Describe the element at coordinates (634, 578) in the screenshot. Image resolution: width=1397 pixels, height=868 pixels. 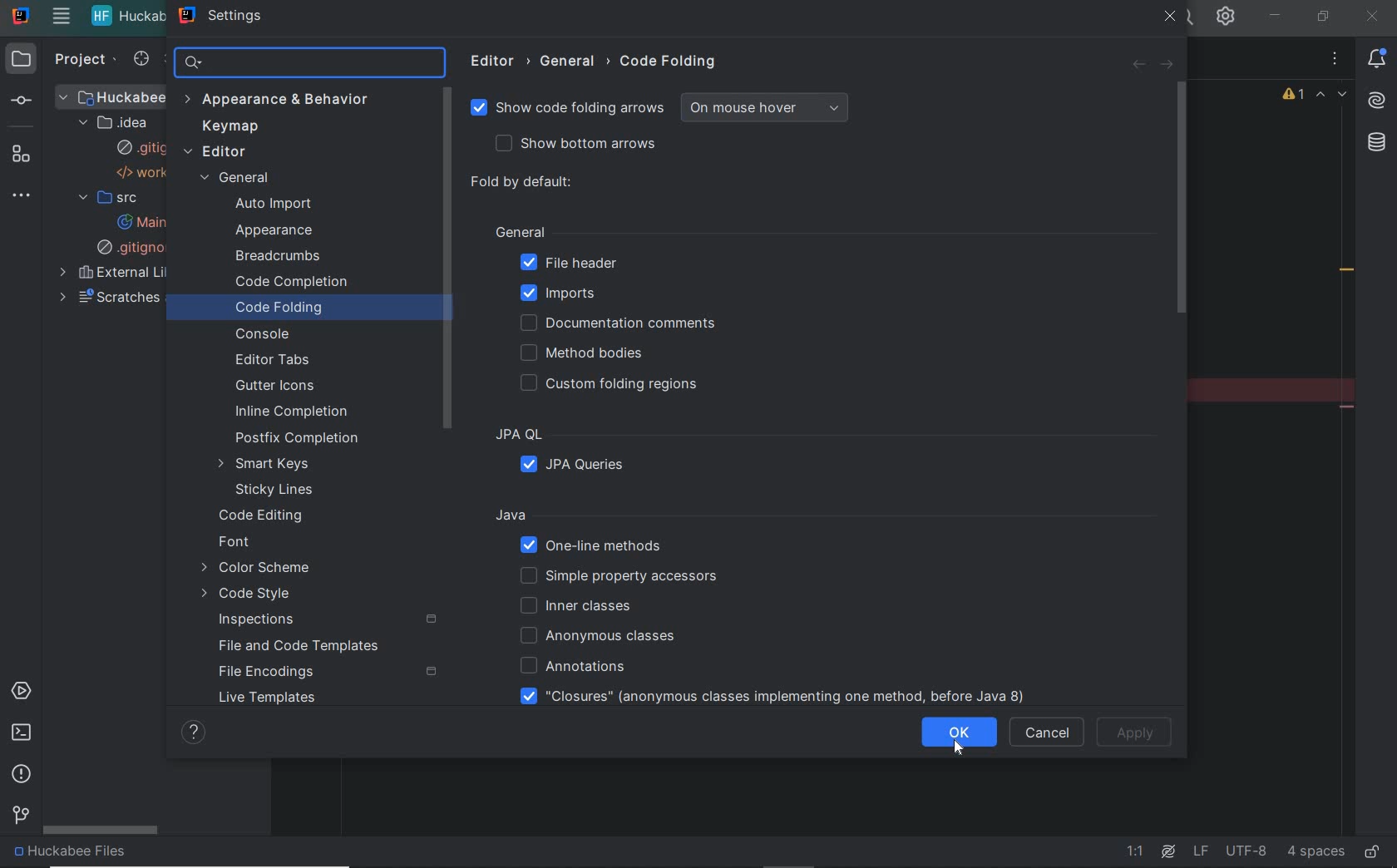
I see `simple property accessors` at that location.